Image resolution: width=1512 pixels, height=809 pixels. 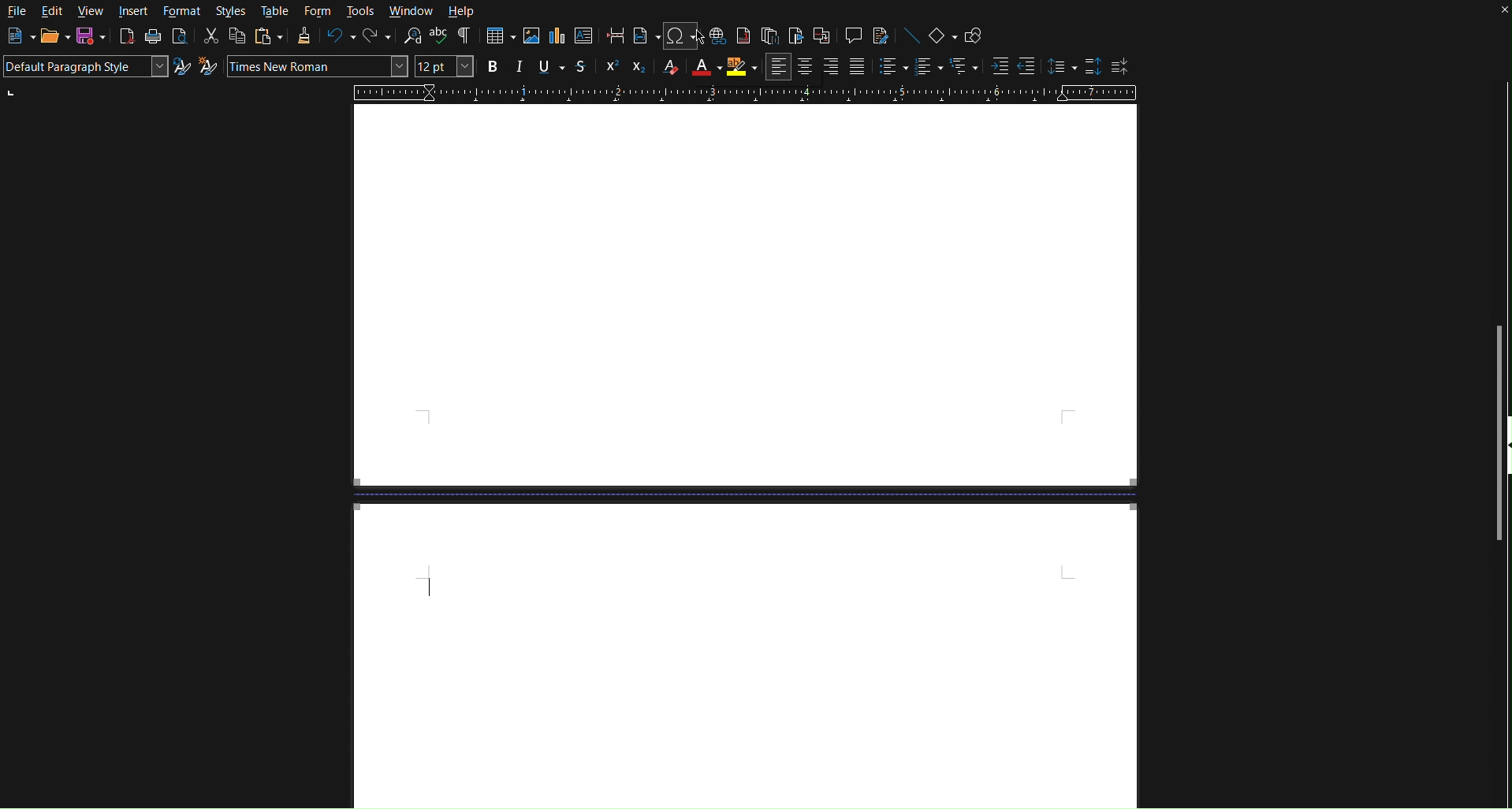 What do you see at coordinates (1498, 13) in the screenshot?
I see `Close` at bounding box center [1498, 13].